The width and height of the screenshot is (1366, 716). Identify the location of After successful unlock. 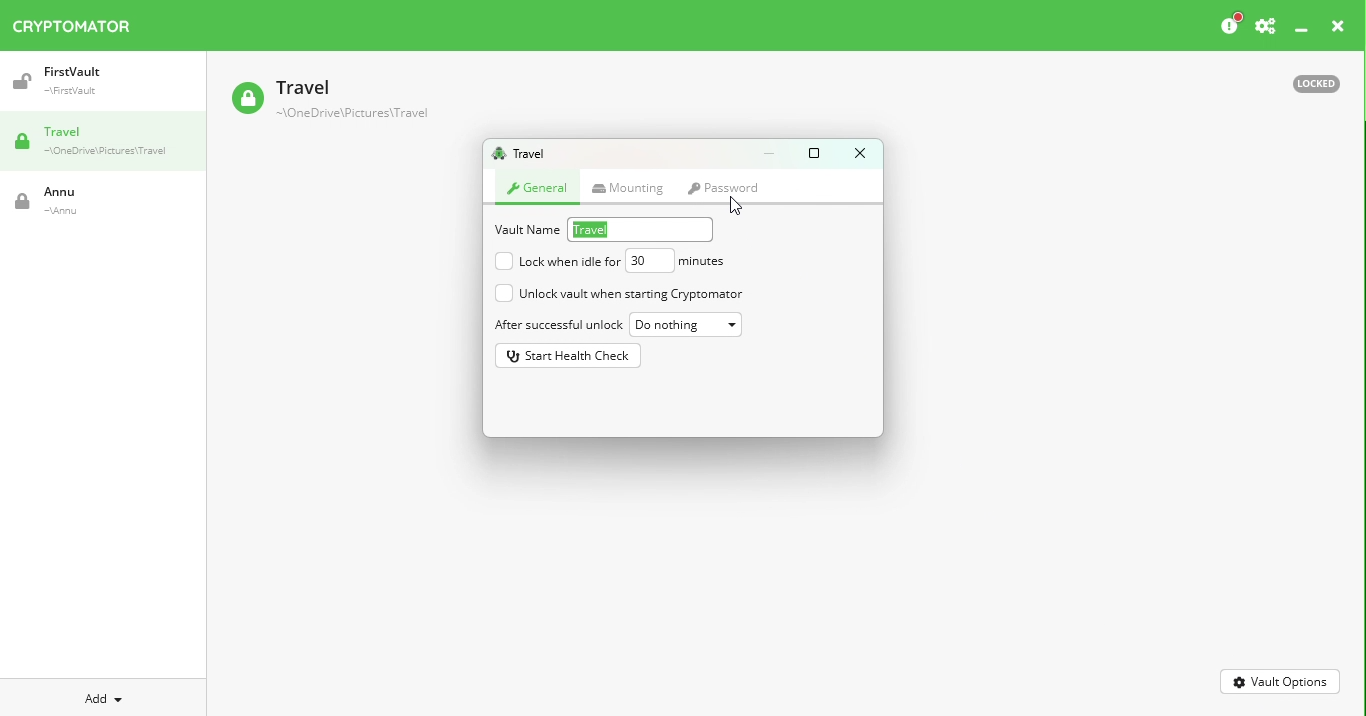
(553, 324).